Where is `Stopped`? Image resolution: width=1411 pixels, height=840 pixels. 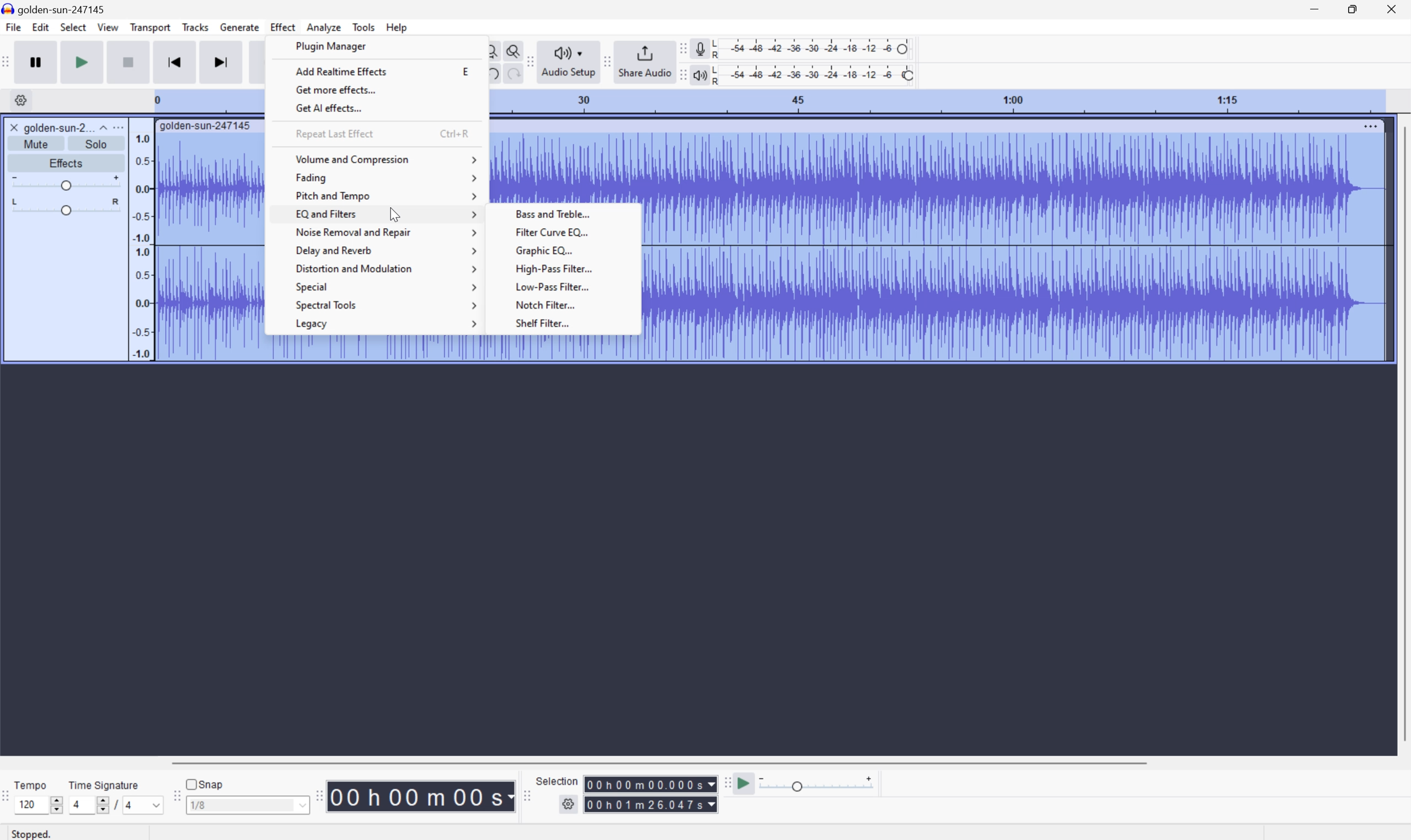
Stopped is located at coordinates (33, 833).